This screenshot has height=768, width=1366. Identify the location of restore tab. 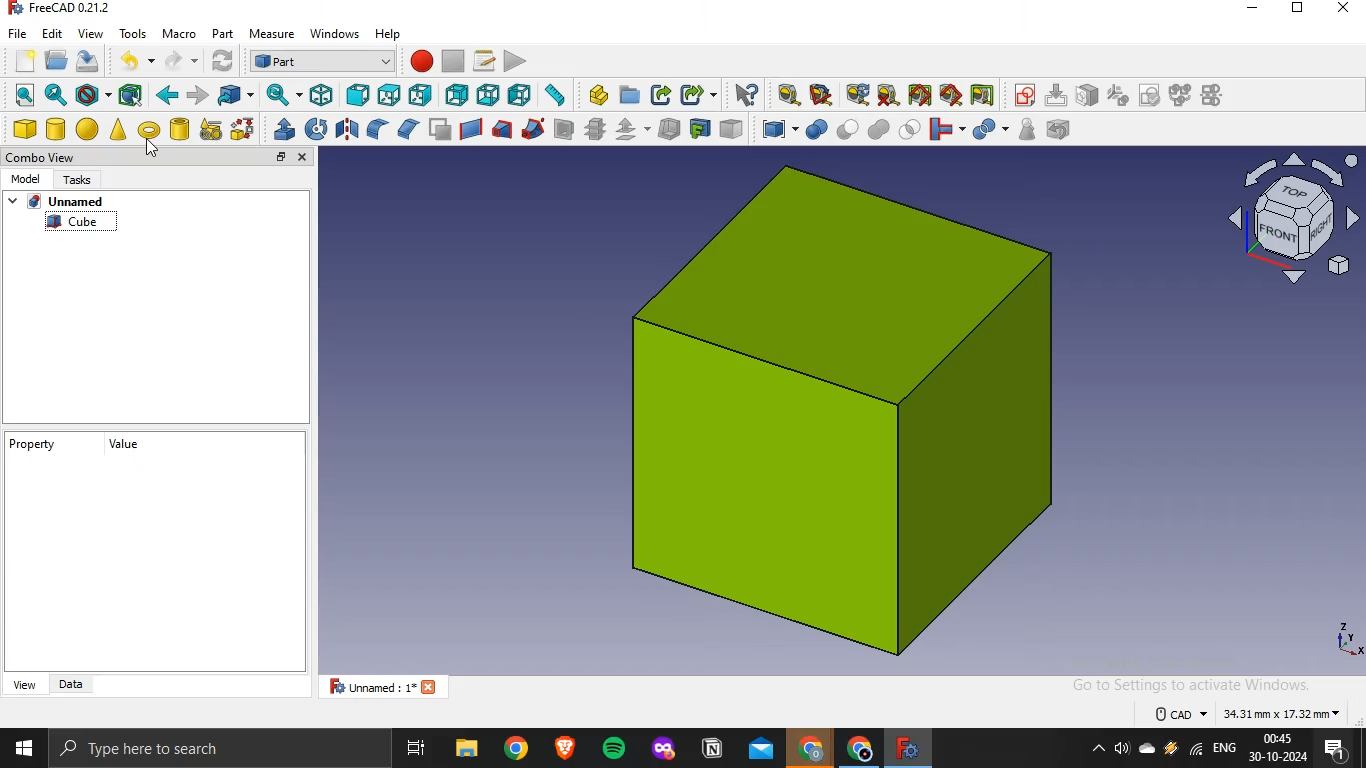
(282, 156).